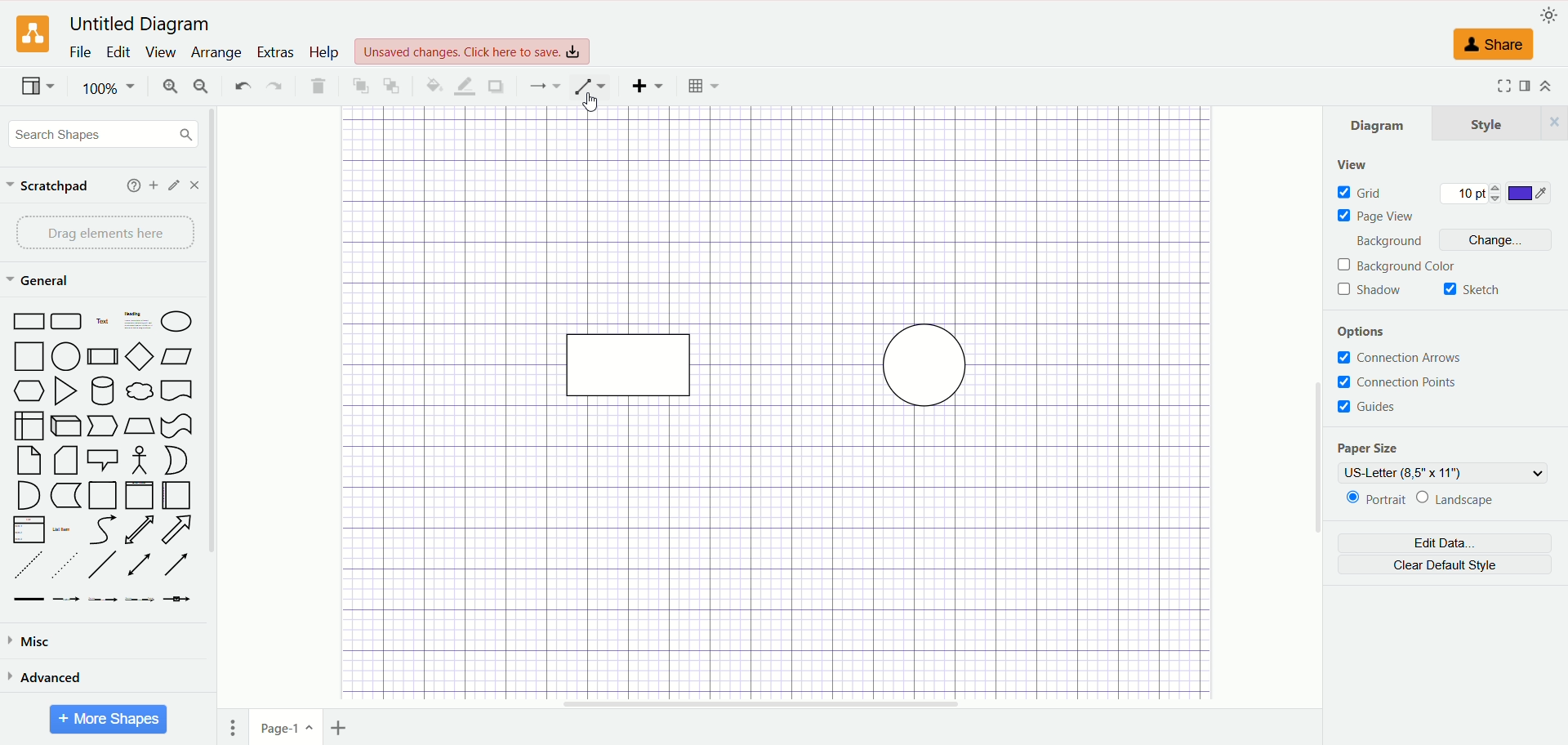  I want to click on more shapes, so click(105, 720).